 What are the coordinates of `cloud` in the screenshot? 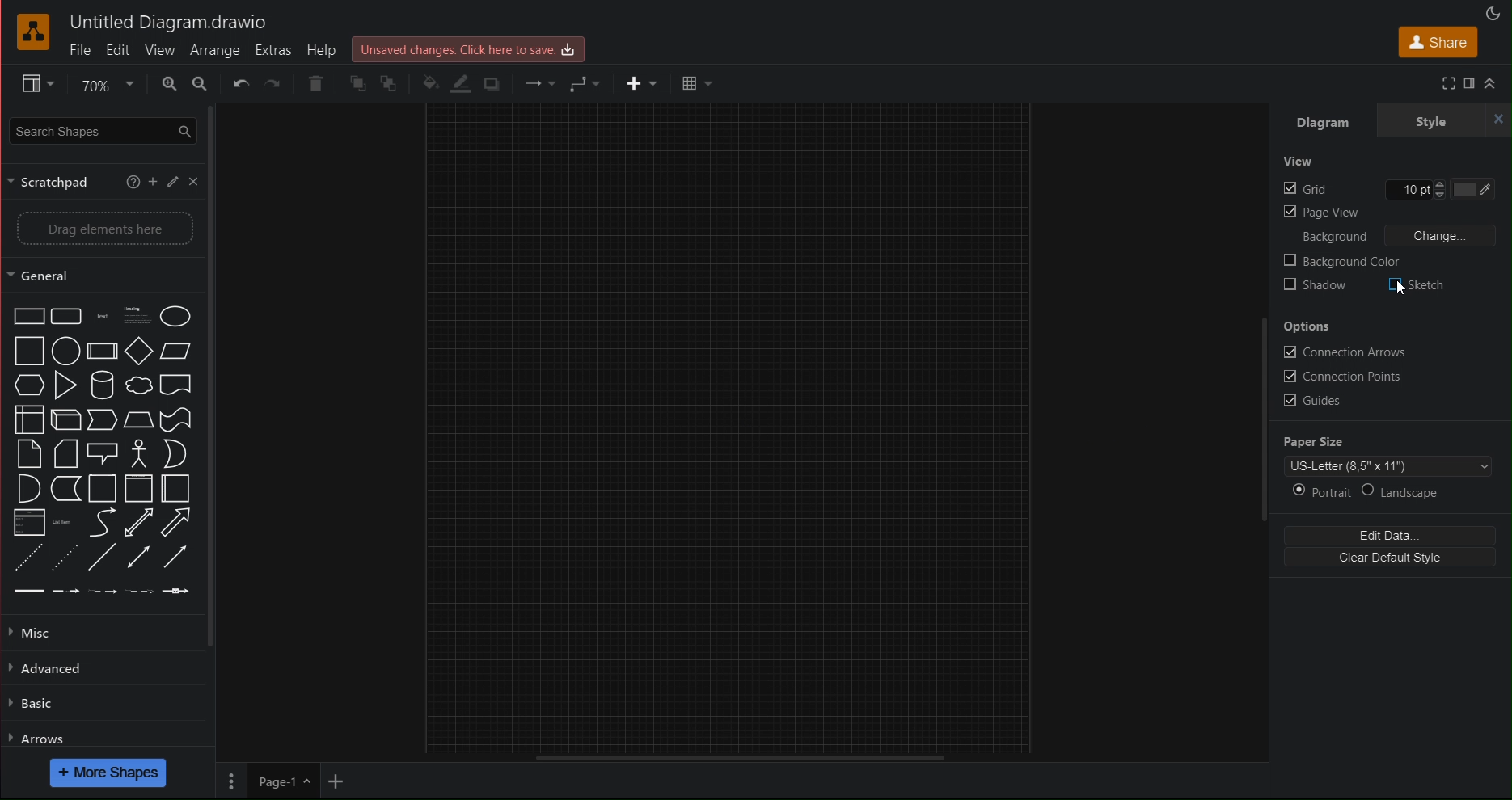 It's located at (138, 387).